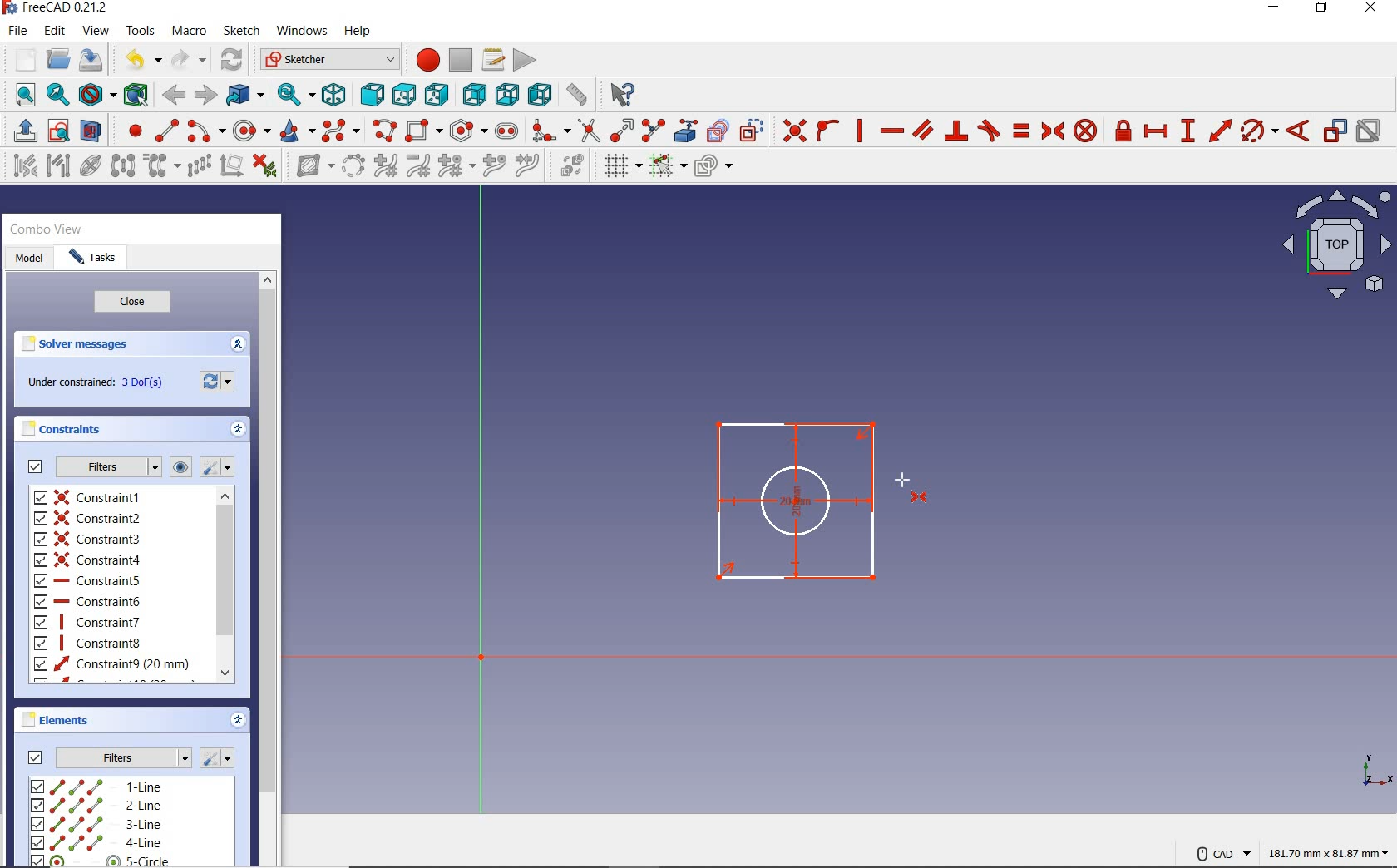  I want to click on increase b-spline degree, so click(385, 167).